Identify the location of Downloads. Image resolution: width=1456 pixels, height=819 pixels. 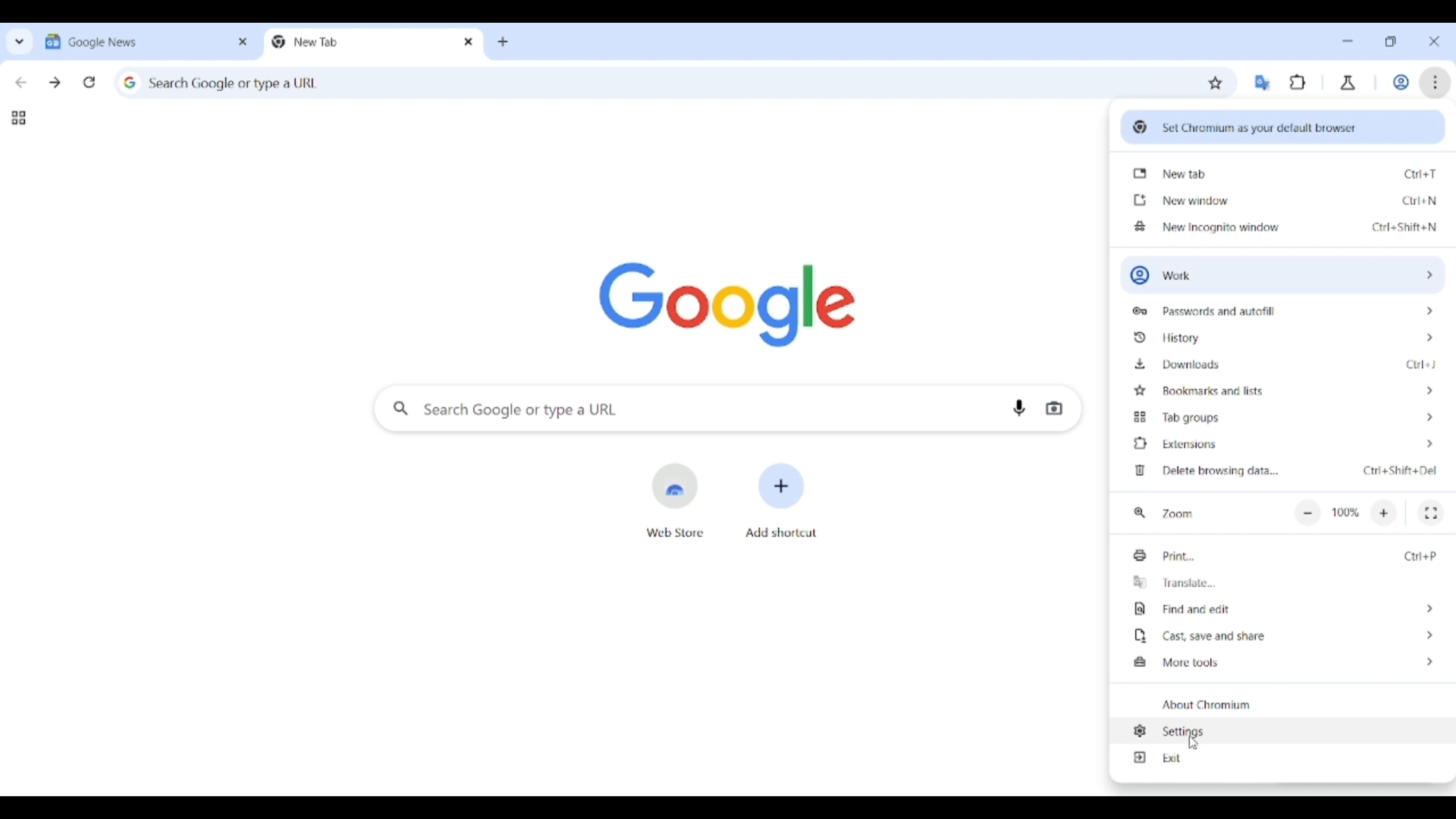
(1285, 363).